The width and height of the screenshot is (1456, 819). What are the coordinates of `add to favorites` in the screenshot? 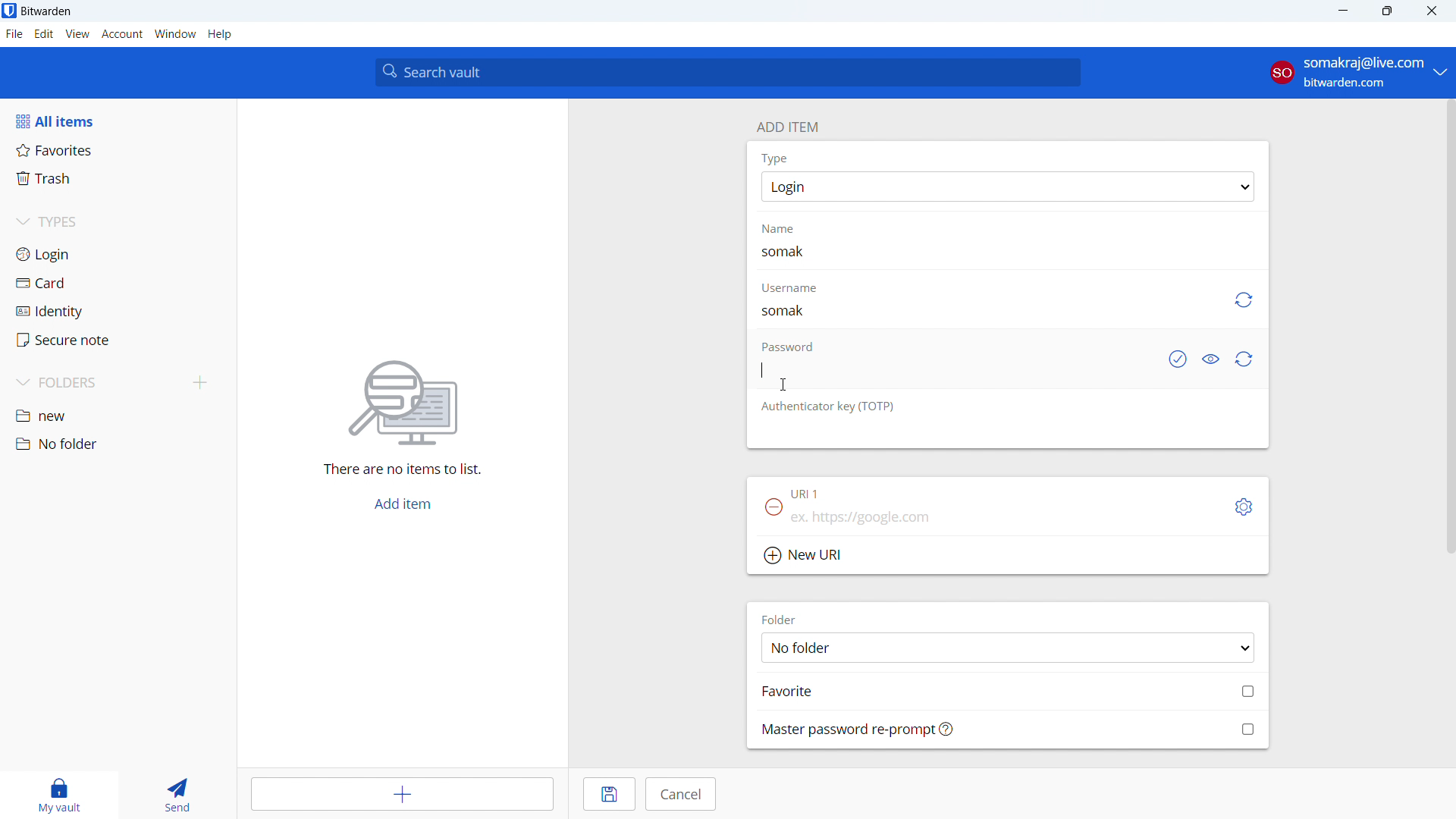 It's located at (1009, 690).